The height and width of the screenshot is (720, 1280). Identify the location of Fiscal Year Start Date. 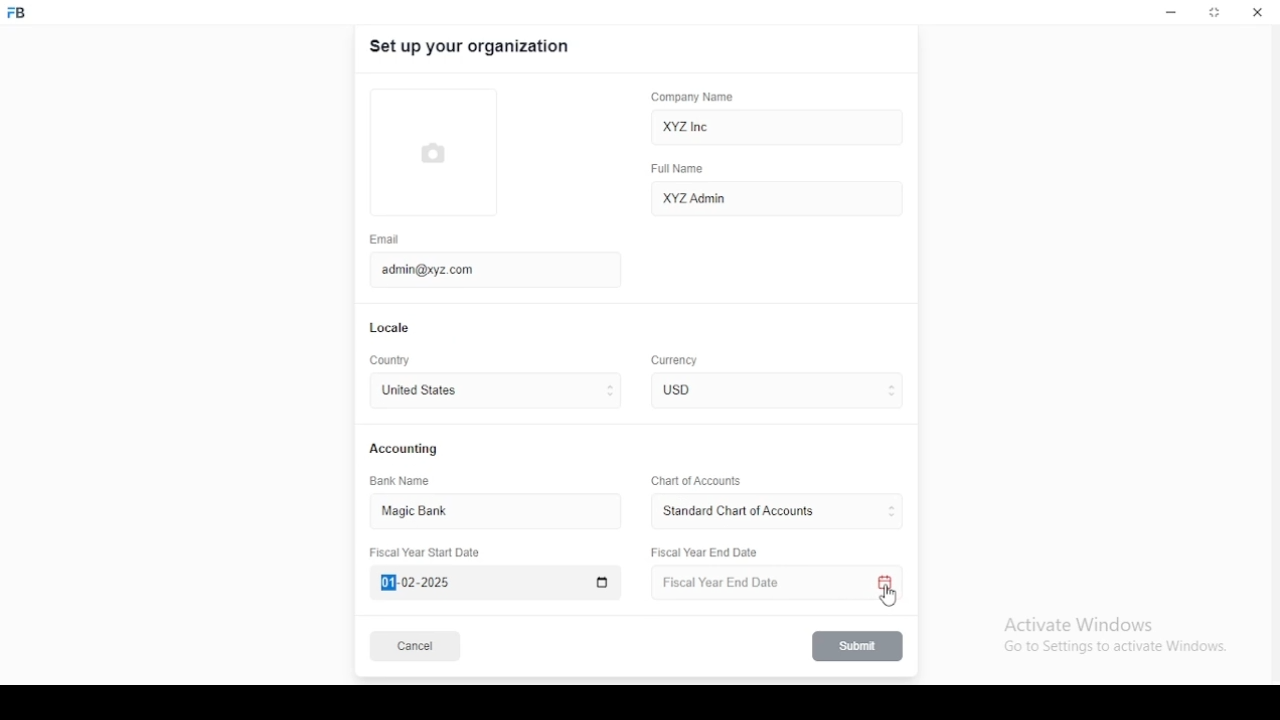
(432, 553).